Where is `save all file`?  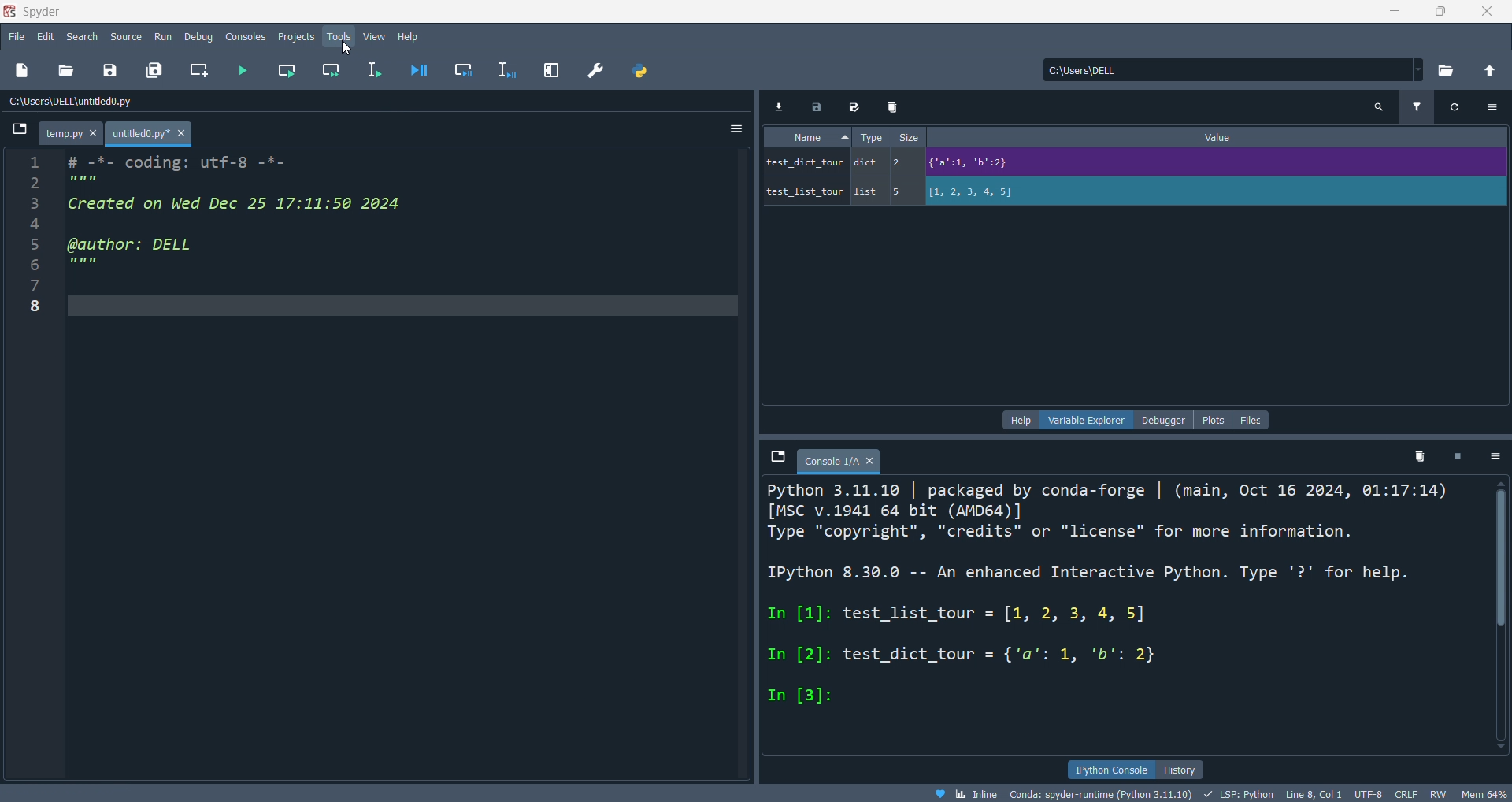 save all file is located at coordinates (153, 69).